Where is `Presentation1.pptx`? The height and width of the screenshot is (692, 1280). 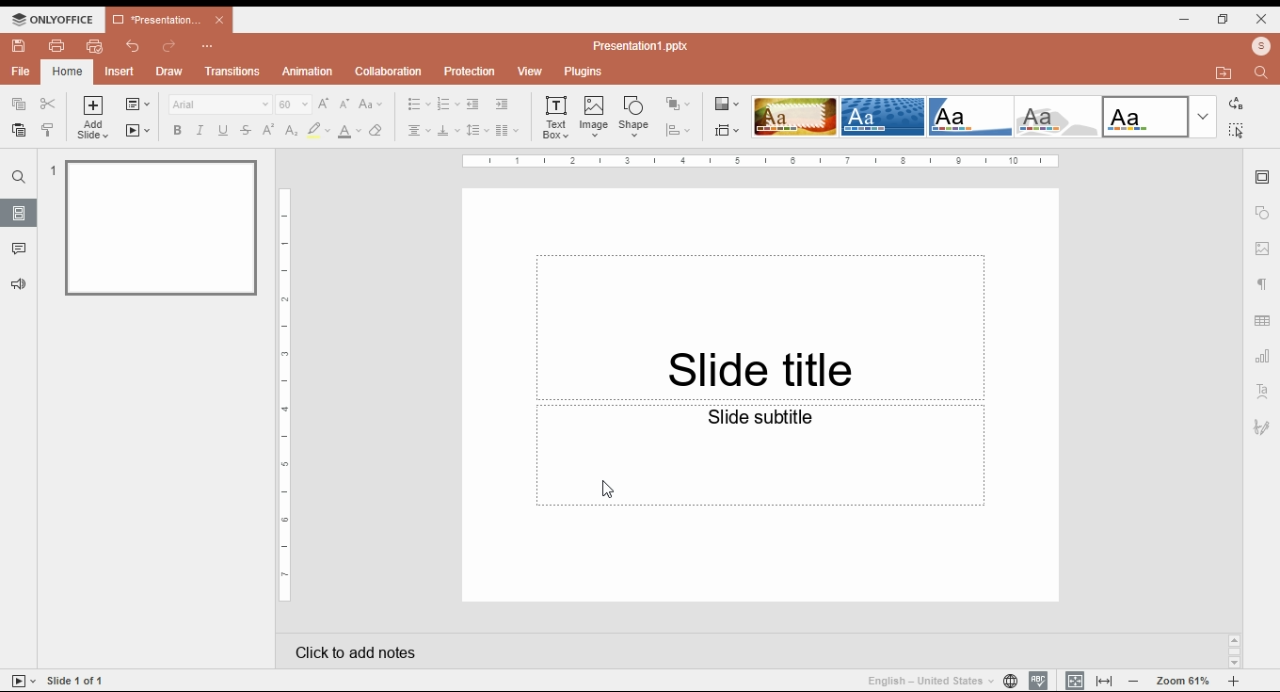 Presentation1.pptx is located at coordinates (644, 45).